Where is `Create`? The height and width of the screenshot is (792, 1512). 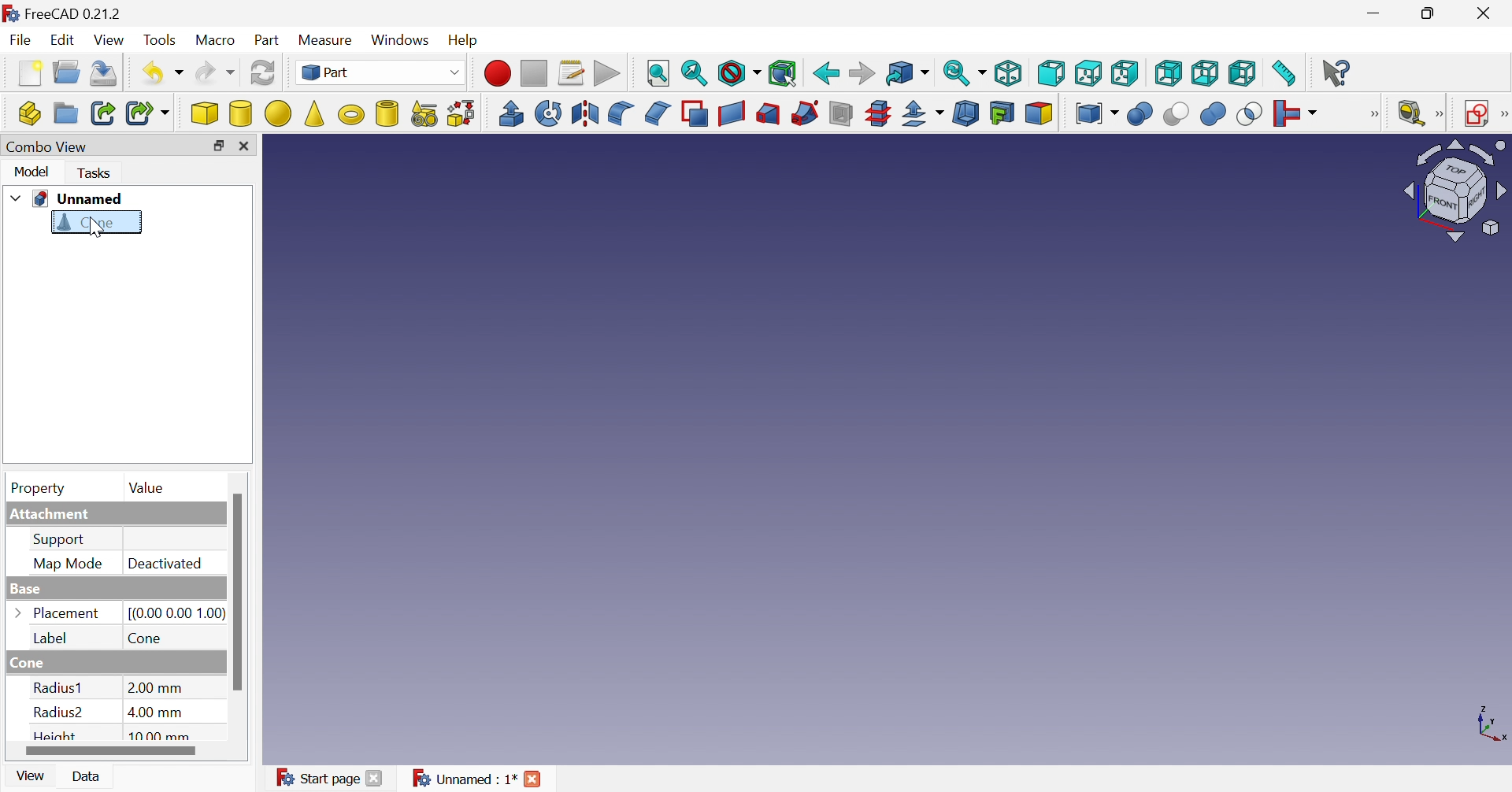
Create is located at coordinates (387, 112).